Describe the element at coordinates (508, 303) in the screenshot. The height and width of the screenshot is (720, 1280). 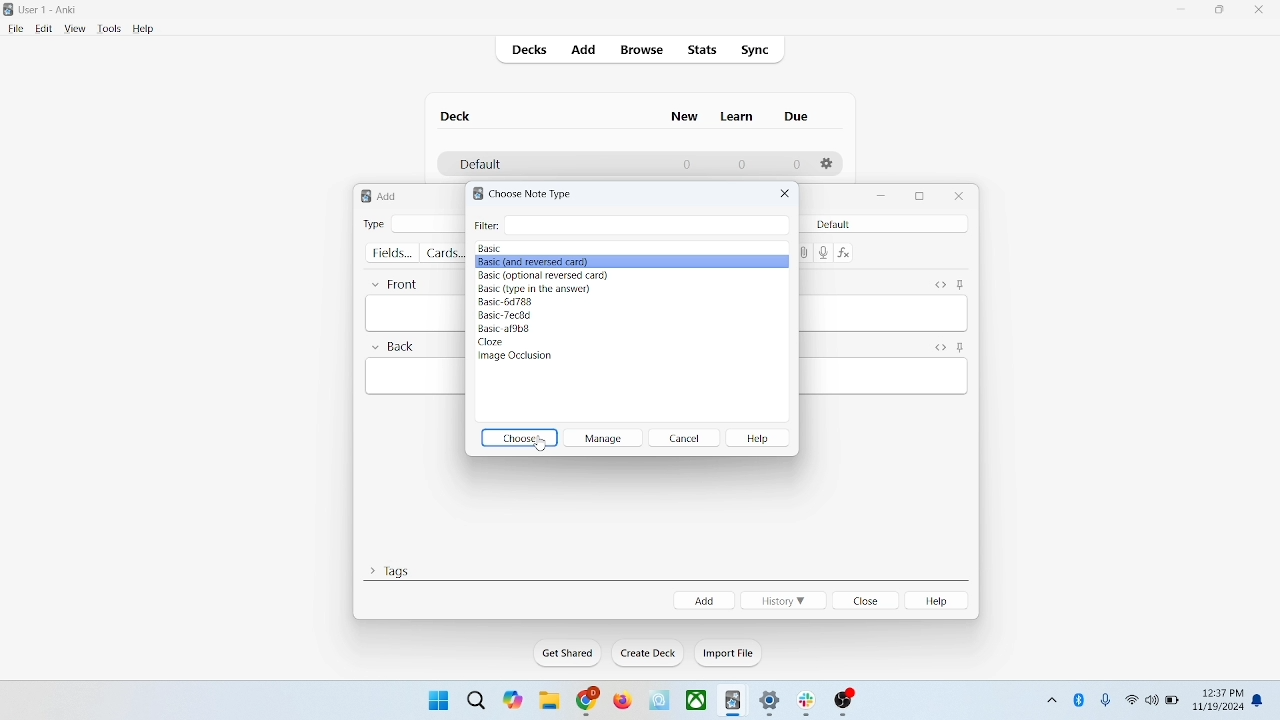
I see `Basic-6d788` at that location.